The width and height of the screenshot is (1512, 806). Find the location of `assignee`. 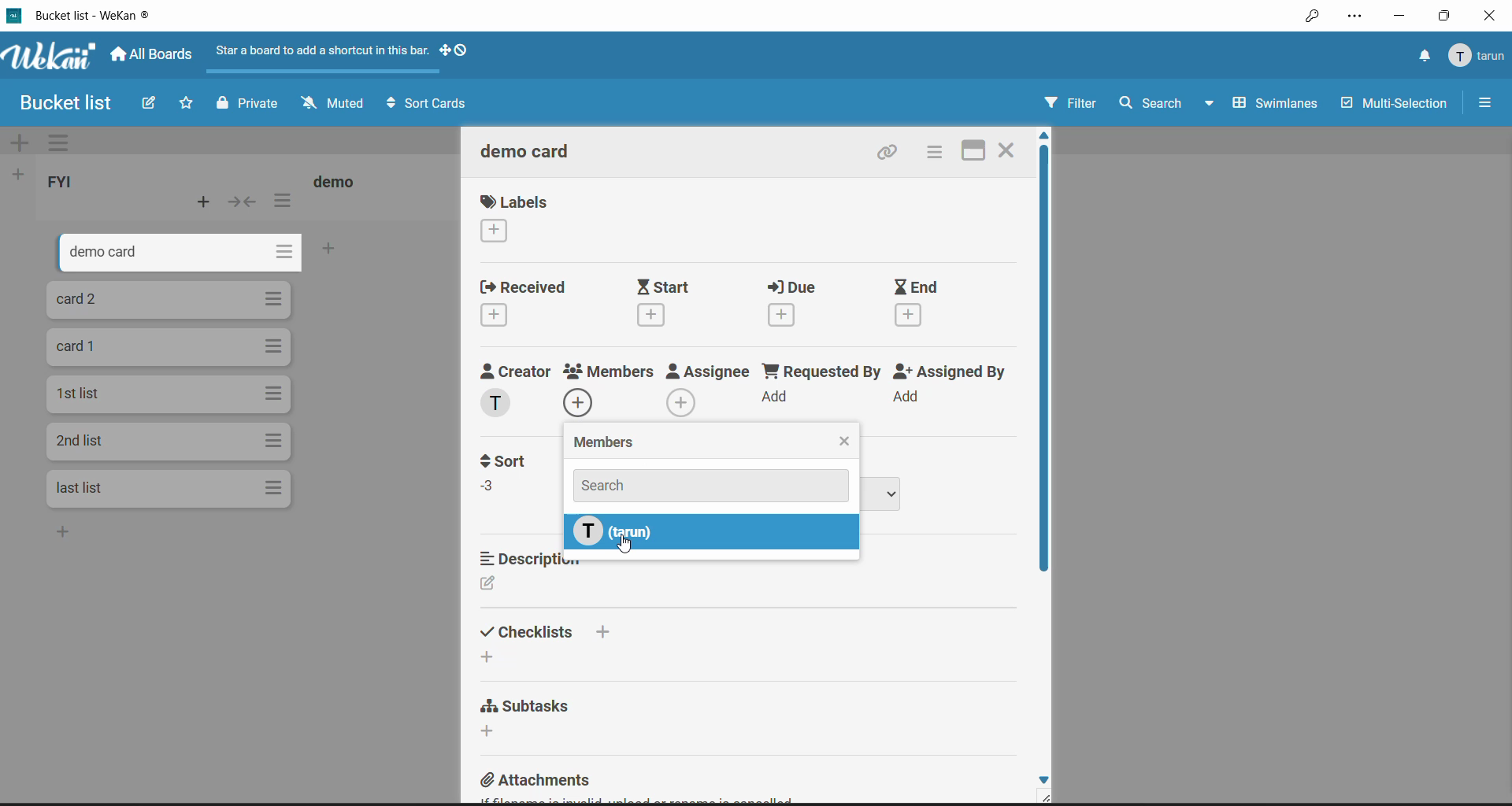

assignee is located at coordinates (709, 373).